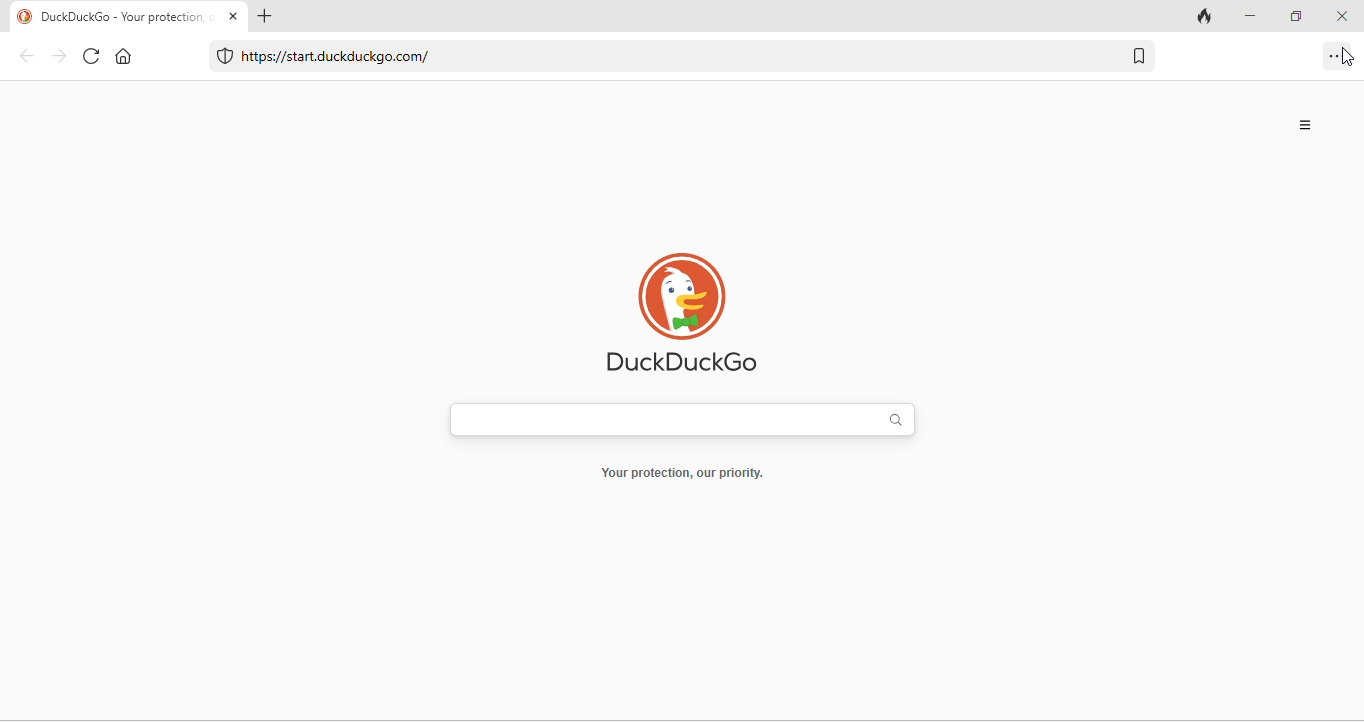 Image resolution: width=1364 pixels, height=722 pixels. Describe the element at coordinates (235, 18) in the screenshot. I see `close` at that location.